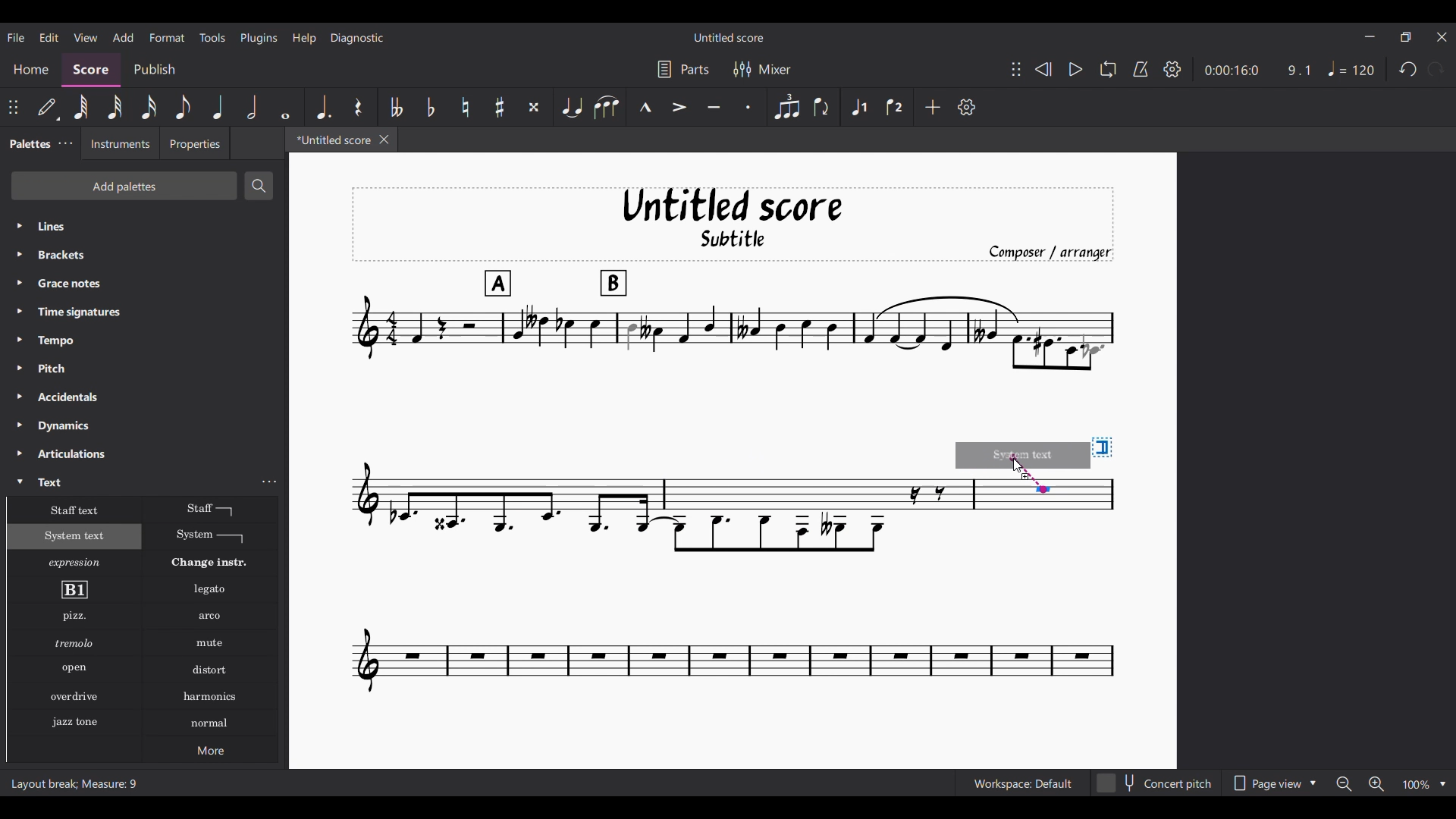 Image resolution: width=1456 pixels, height=819 pixels. Describe the element at coordinates (218, 106) in the screenshot. I see `Quarter note` at that location.